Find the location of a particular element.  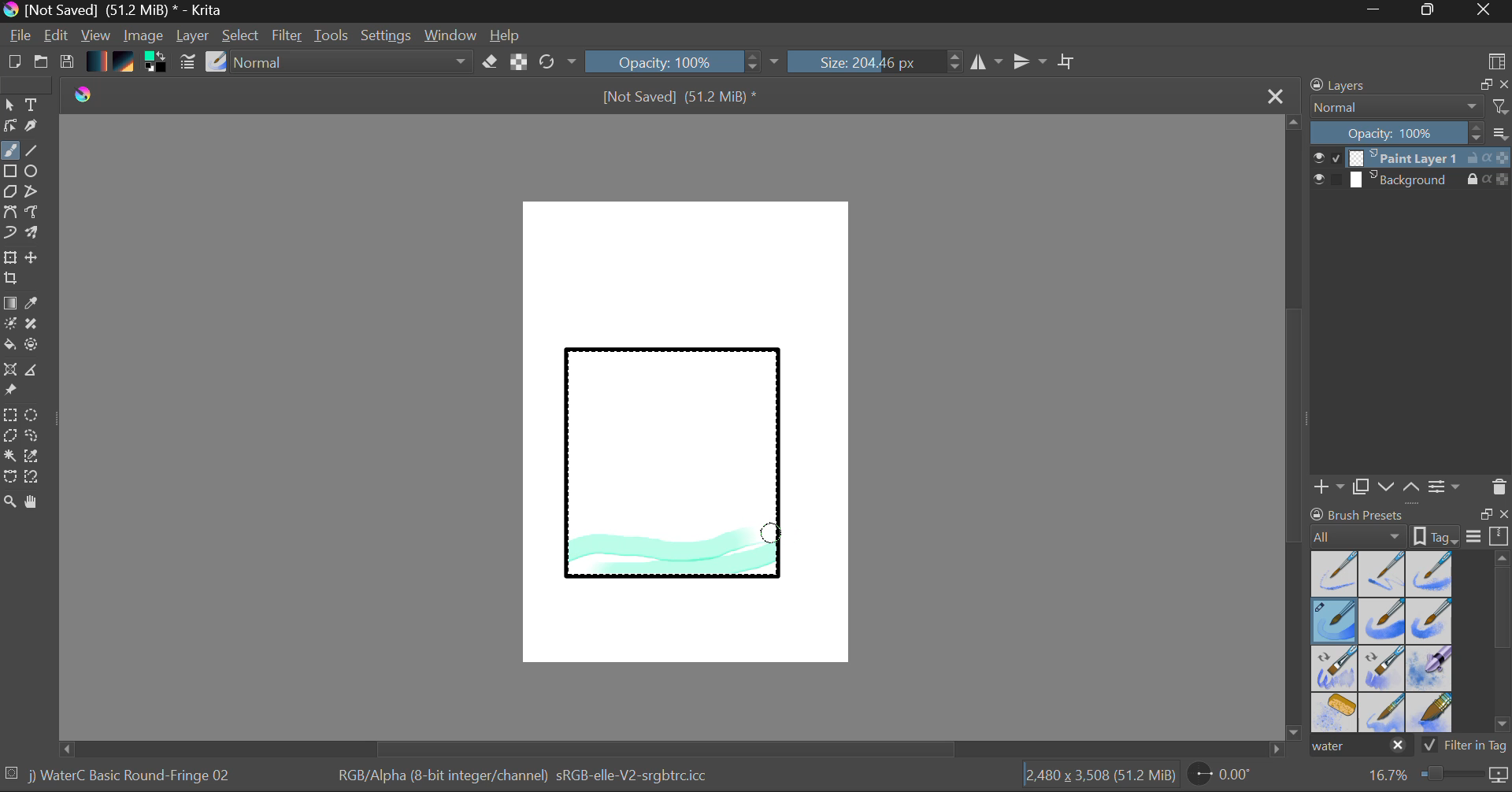

Vertical Mirror Flip is located at coordinates (986, 62).